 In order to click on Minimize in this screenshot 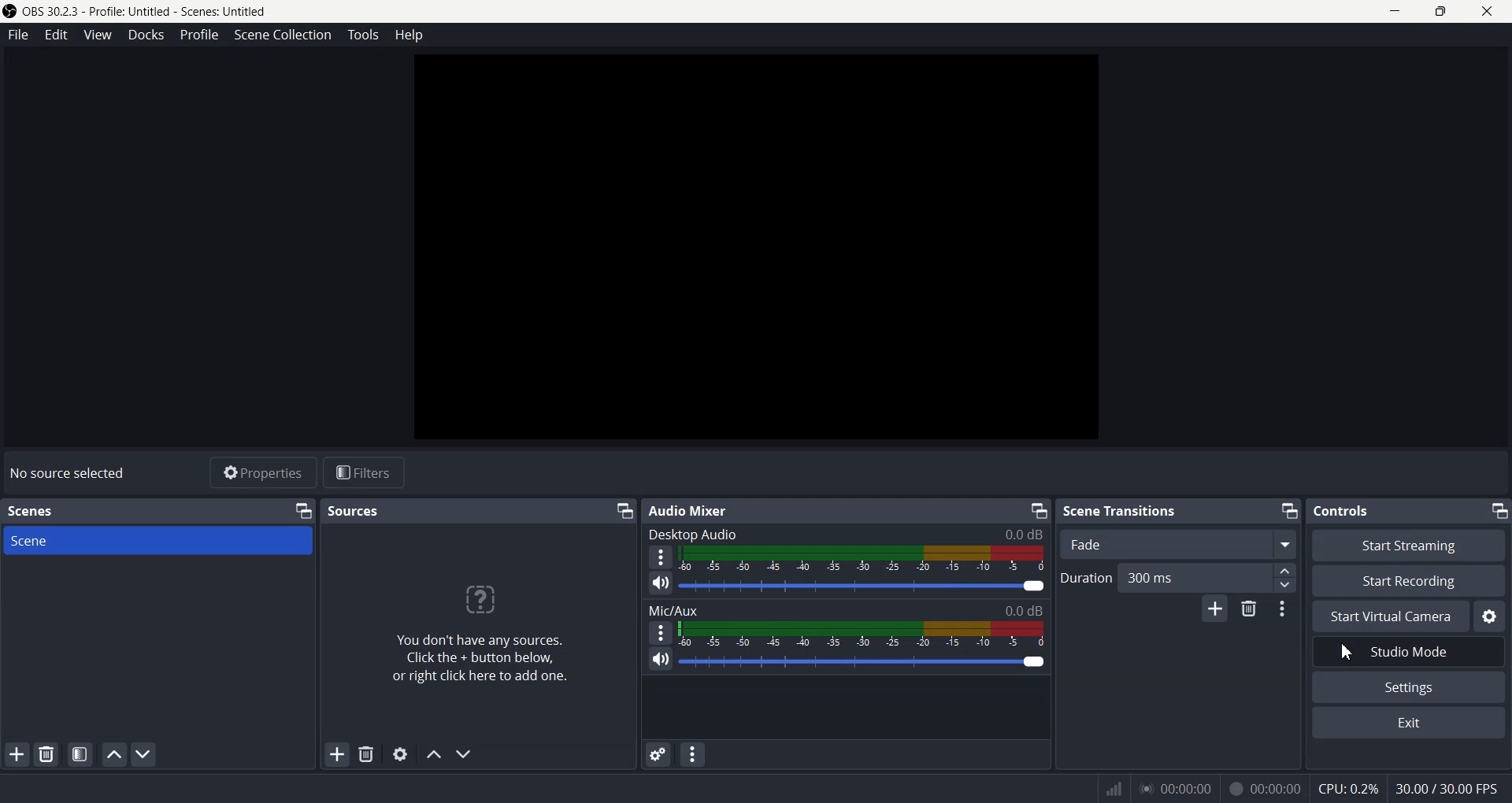, I will do `click(1036, 510)`.